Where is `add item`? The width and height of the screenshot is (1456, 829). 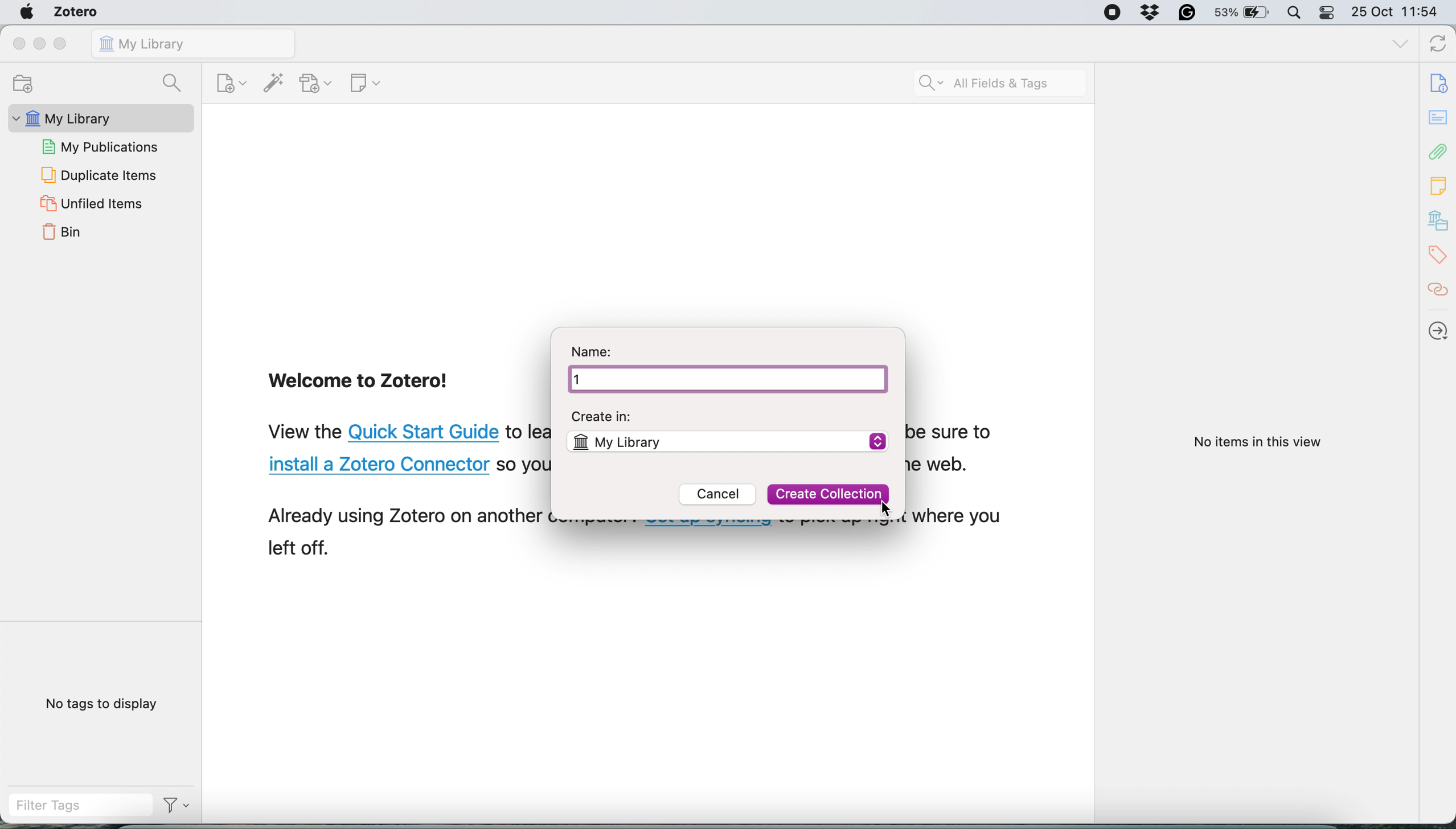 add item is located at coordinates (272, 83).